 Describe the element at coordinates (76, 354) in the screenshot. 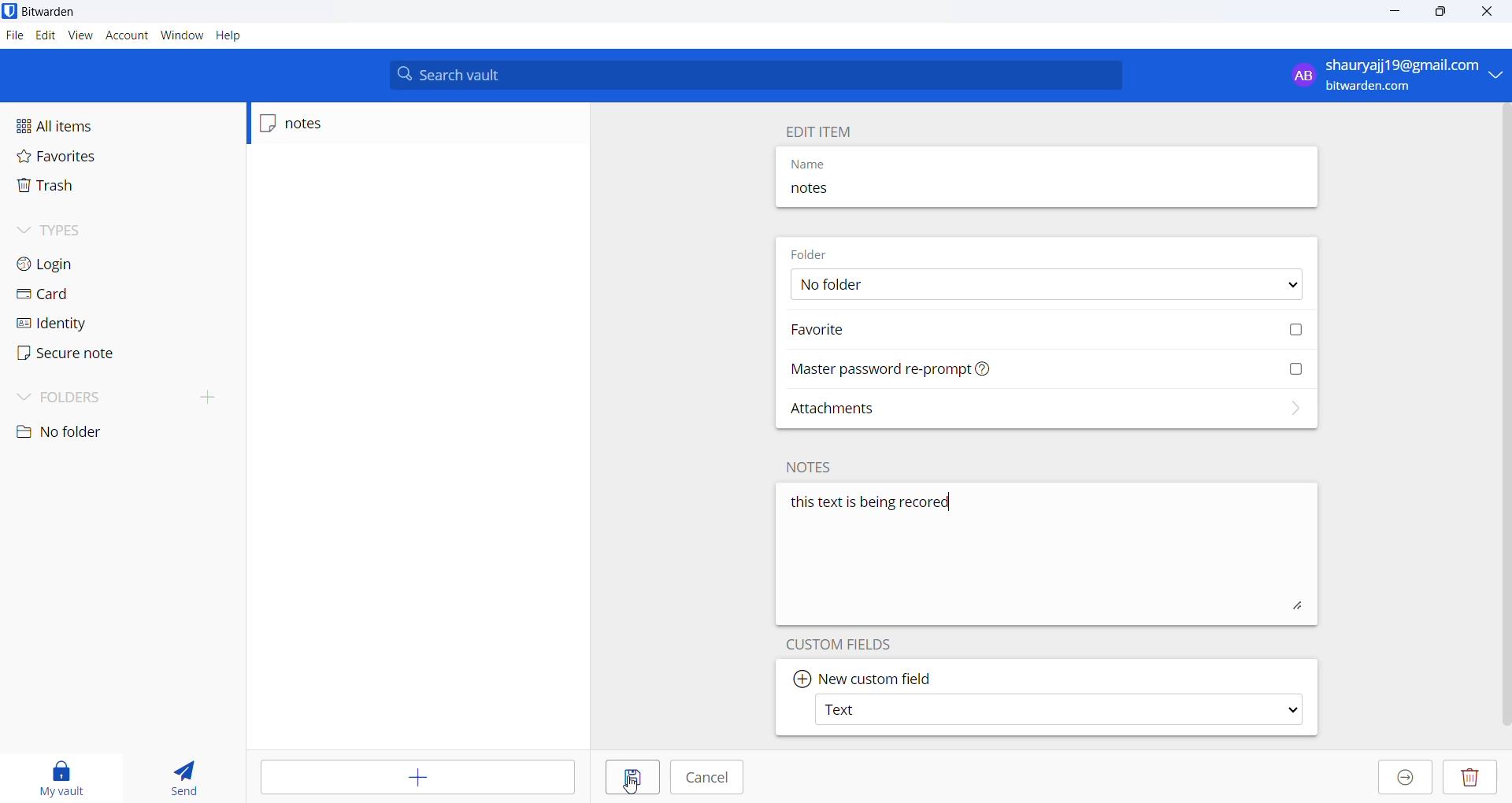

I see `secure note` at that location.